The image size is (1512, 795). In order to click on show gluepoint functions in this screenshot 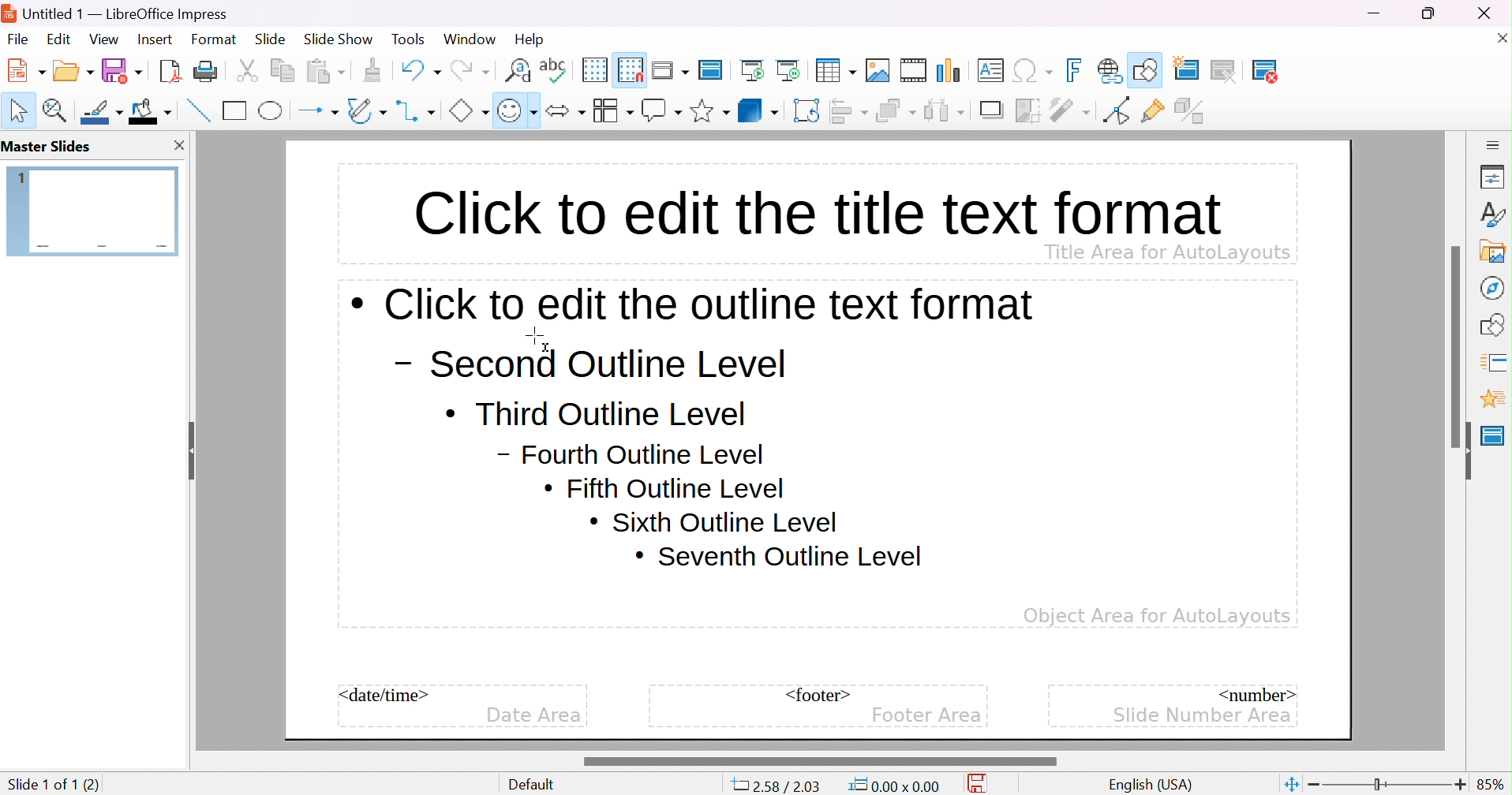, I will do `click(1153, 111)`.